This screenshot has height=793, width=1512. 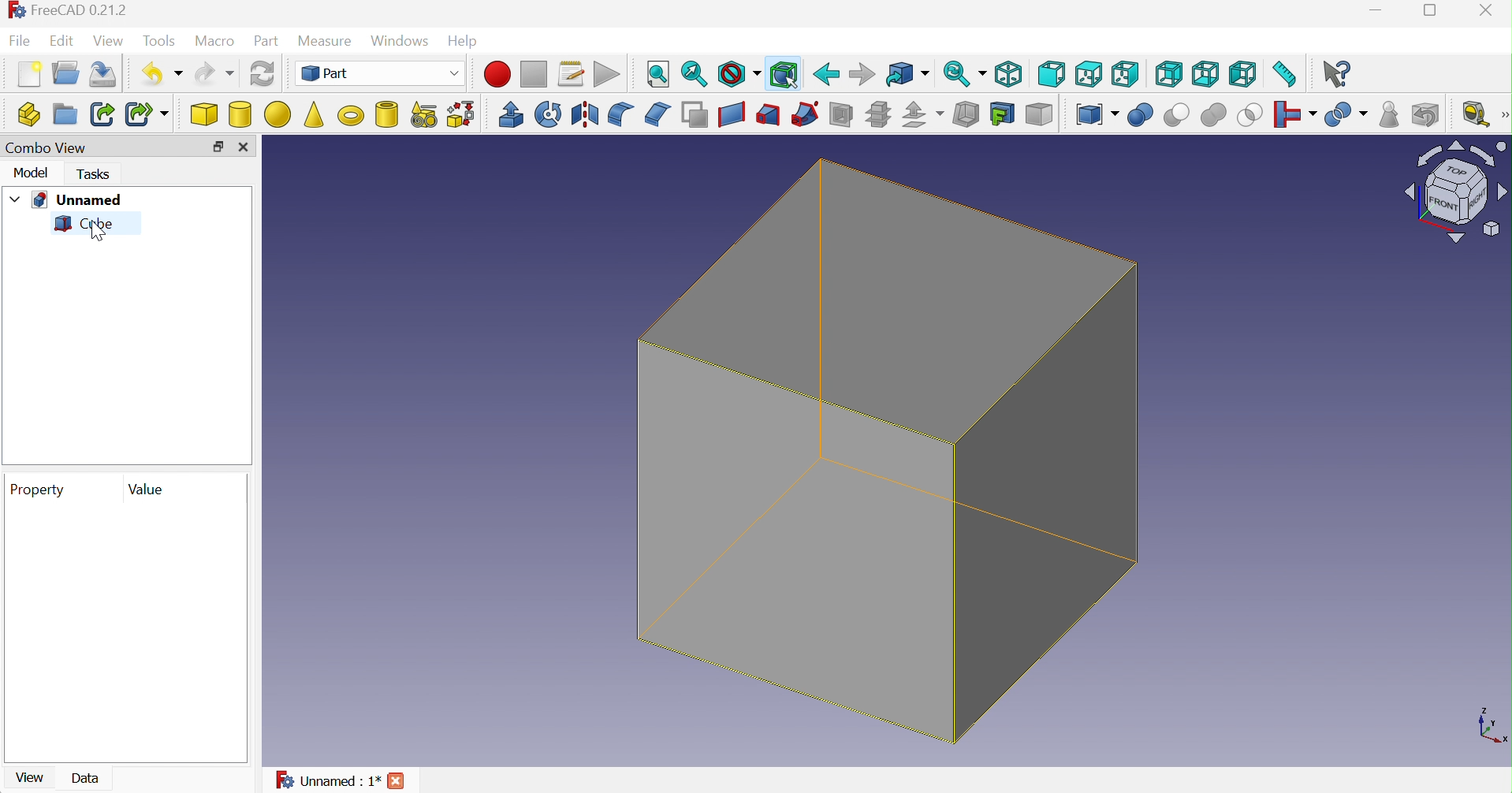 I want to click on Redo, so click(x=213, y=75).